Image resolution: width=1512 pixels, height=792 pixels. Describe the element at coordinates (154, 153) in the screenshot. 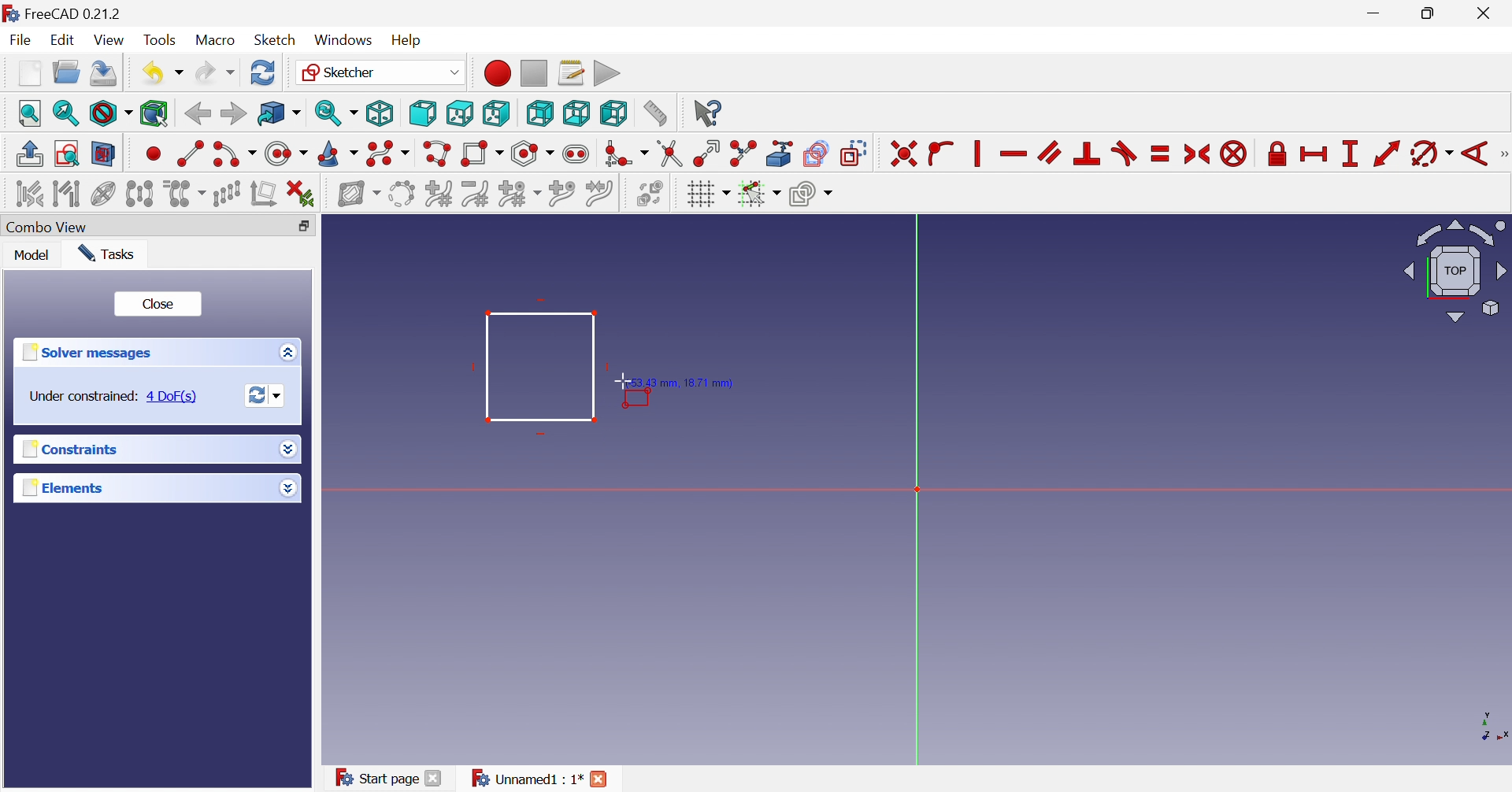

I see `Create point` at that location.